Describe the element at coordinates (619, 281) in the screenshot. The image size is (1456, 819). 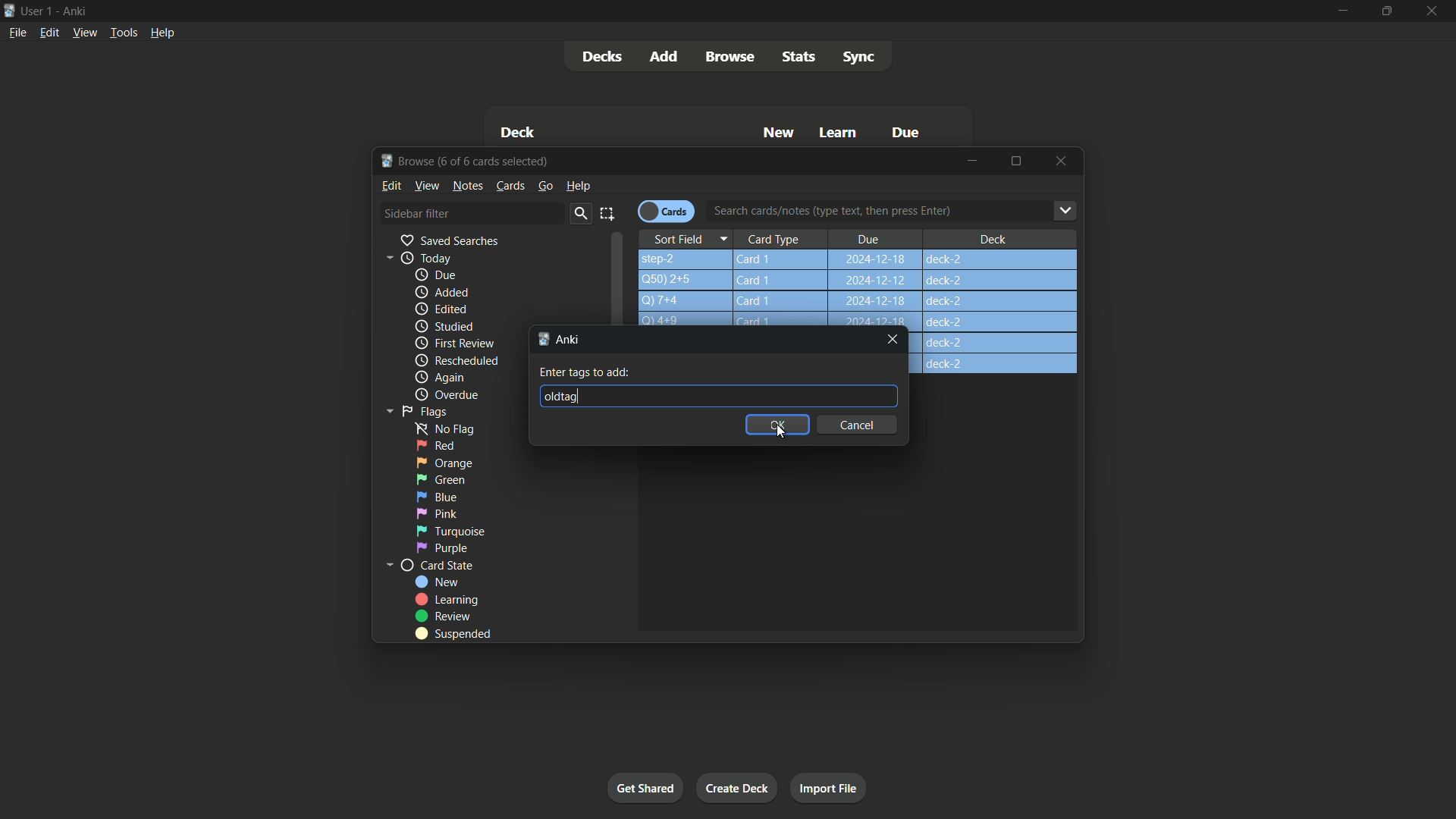
I see `Scroll bar` at that location.